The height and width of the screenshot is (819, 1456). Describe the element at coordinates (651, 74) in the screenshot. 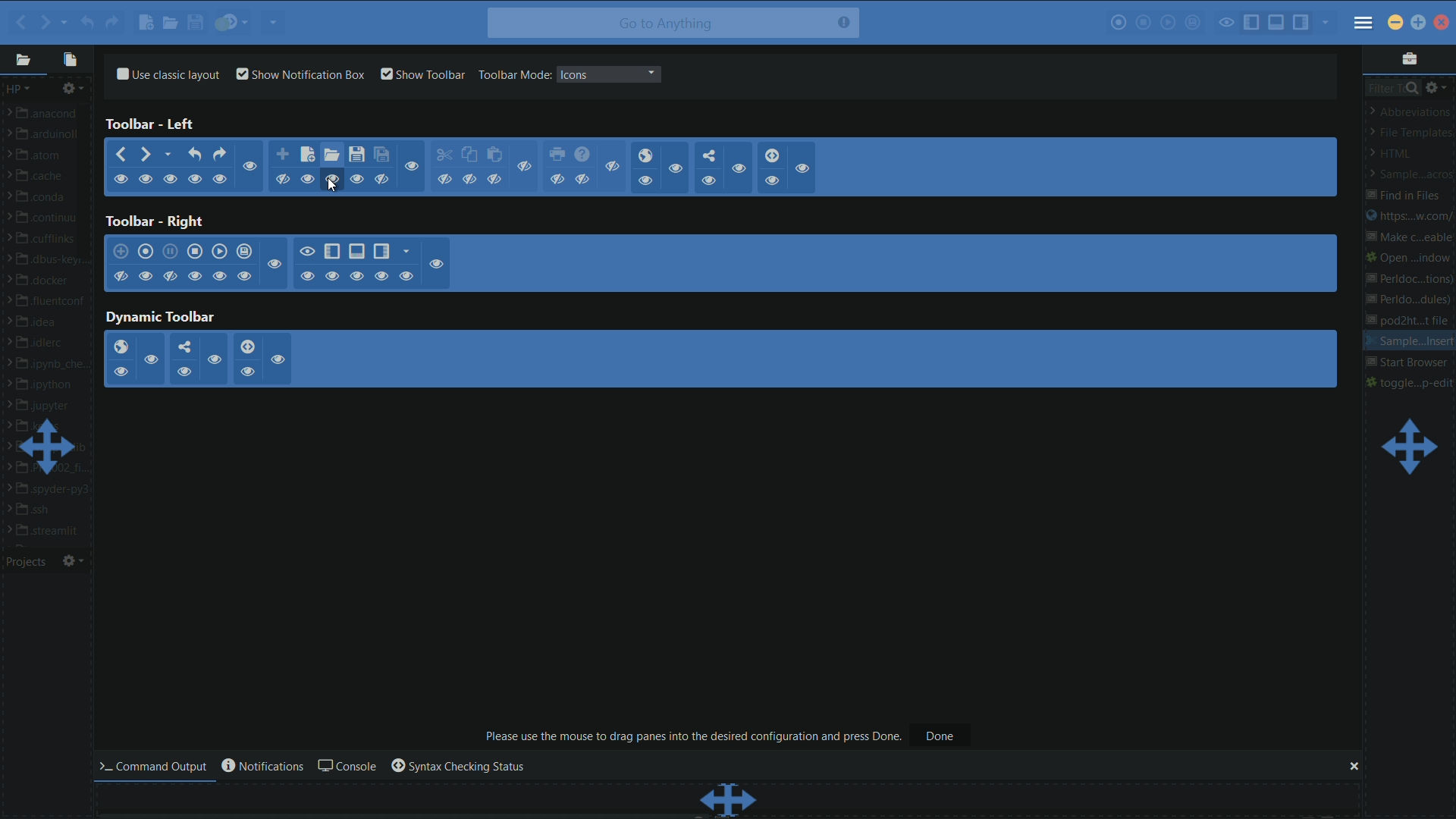

I see `dropdown` at that location.